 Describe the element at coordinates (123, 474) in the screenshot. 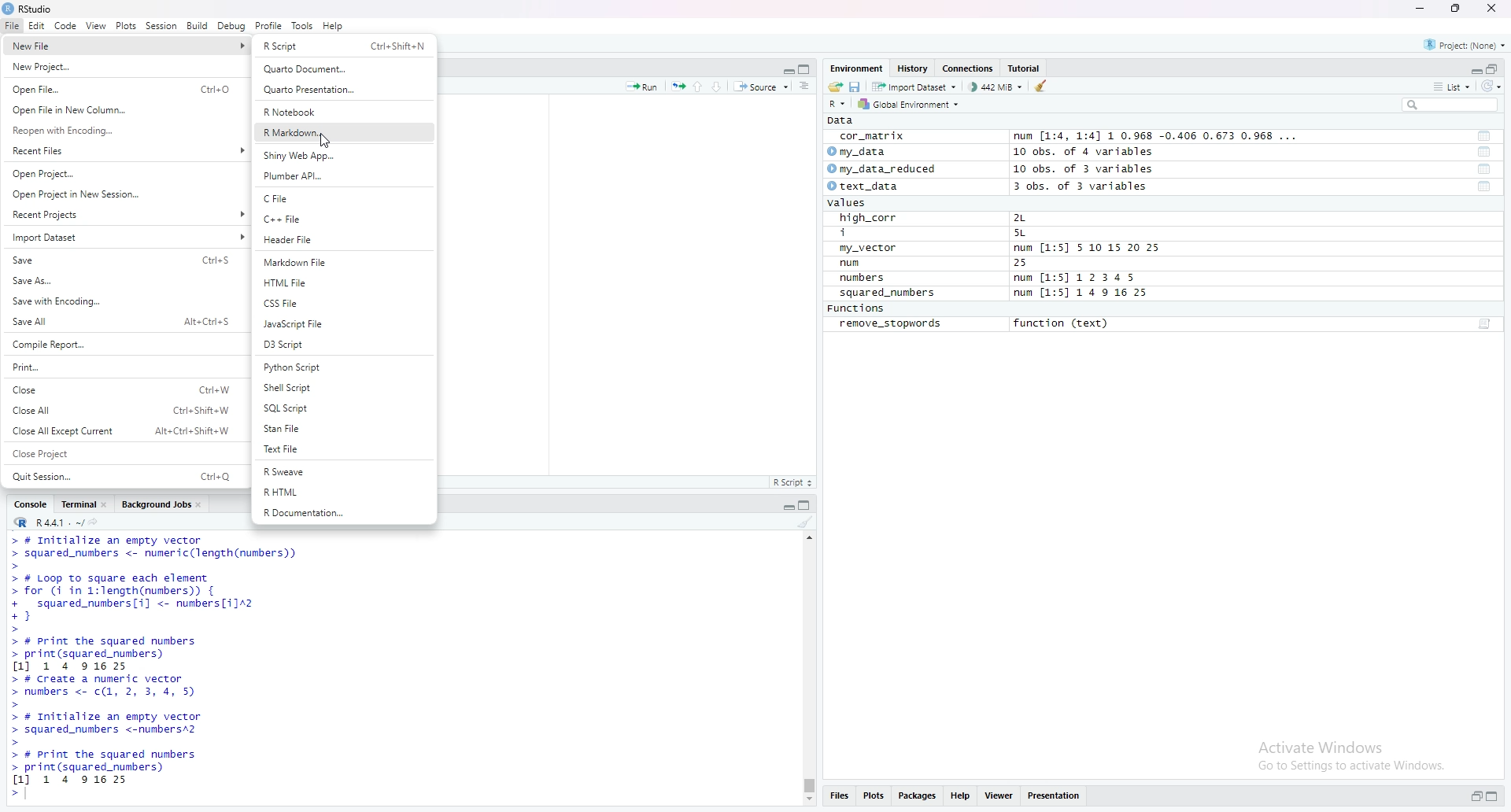

I see `cr+Q
Quit Session...` at that location.